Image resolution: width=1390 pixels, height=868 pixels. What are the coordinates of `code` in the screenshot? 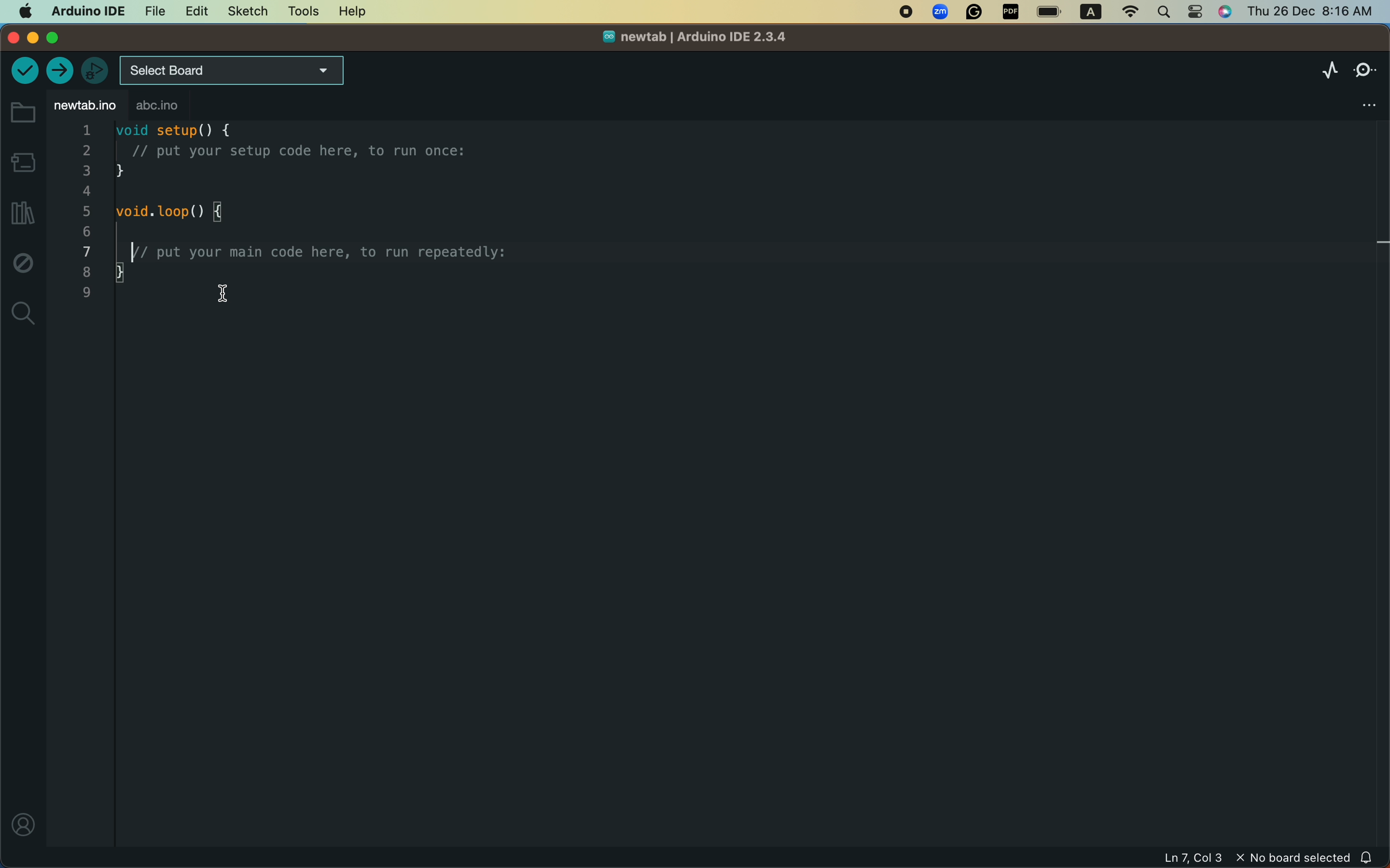 It's located at (301, 216).